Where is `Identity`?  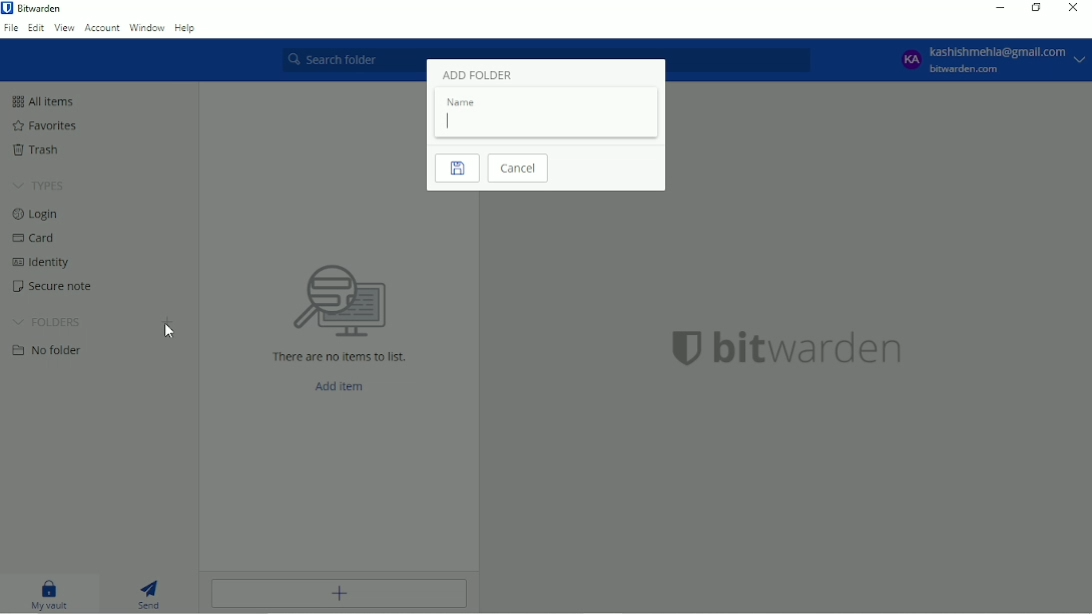
Identity is located at coordinates (46, 264).